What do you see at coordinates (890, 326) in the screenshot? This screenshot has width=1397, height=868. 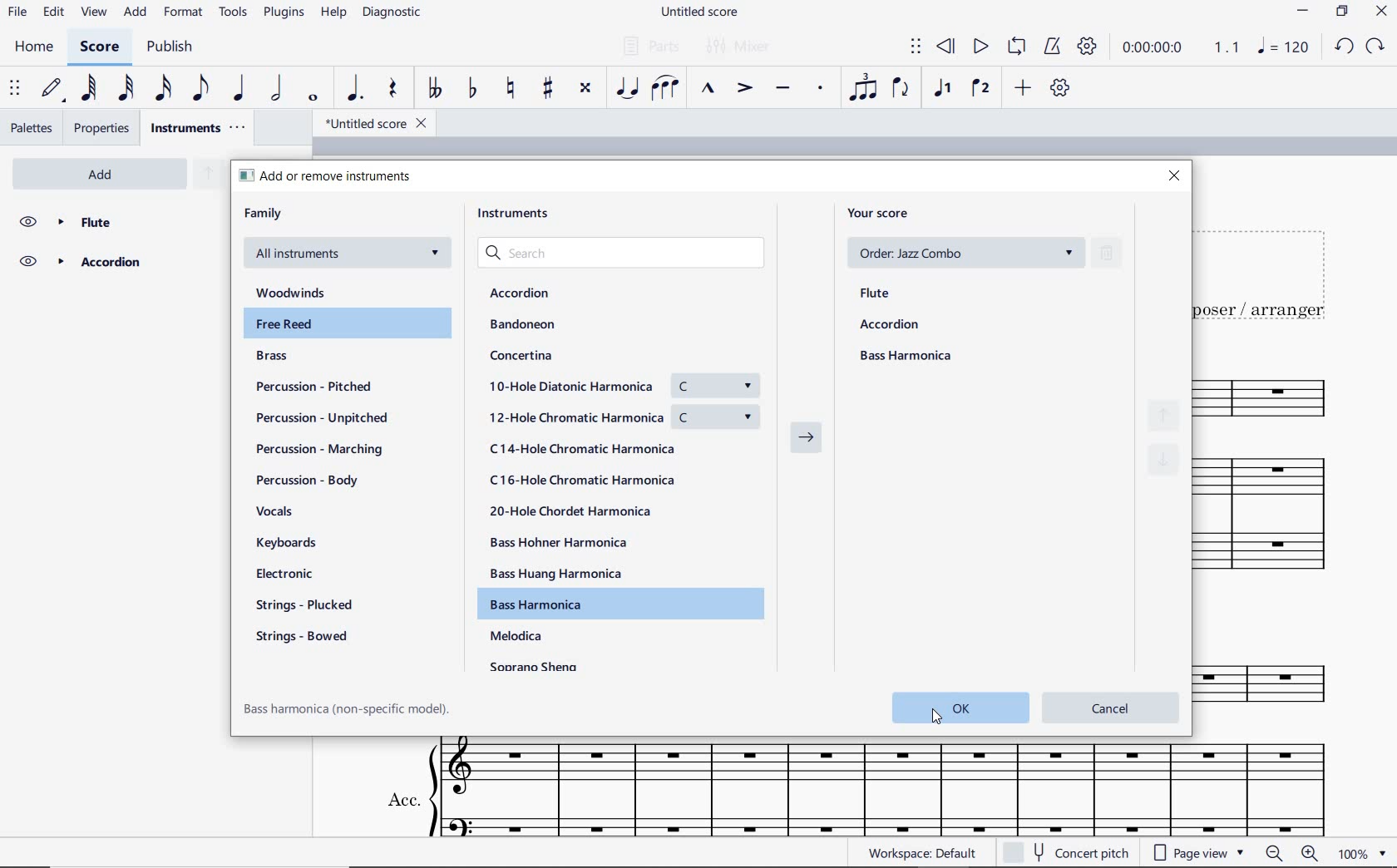 I see `accordion` at bounding box center [890, 326].